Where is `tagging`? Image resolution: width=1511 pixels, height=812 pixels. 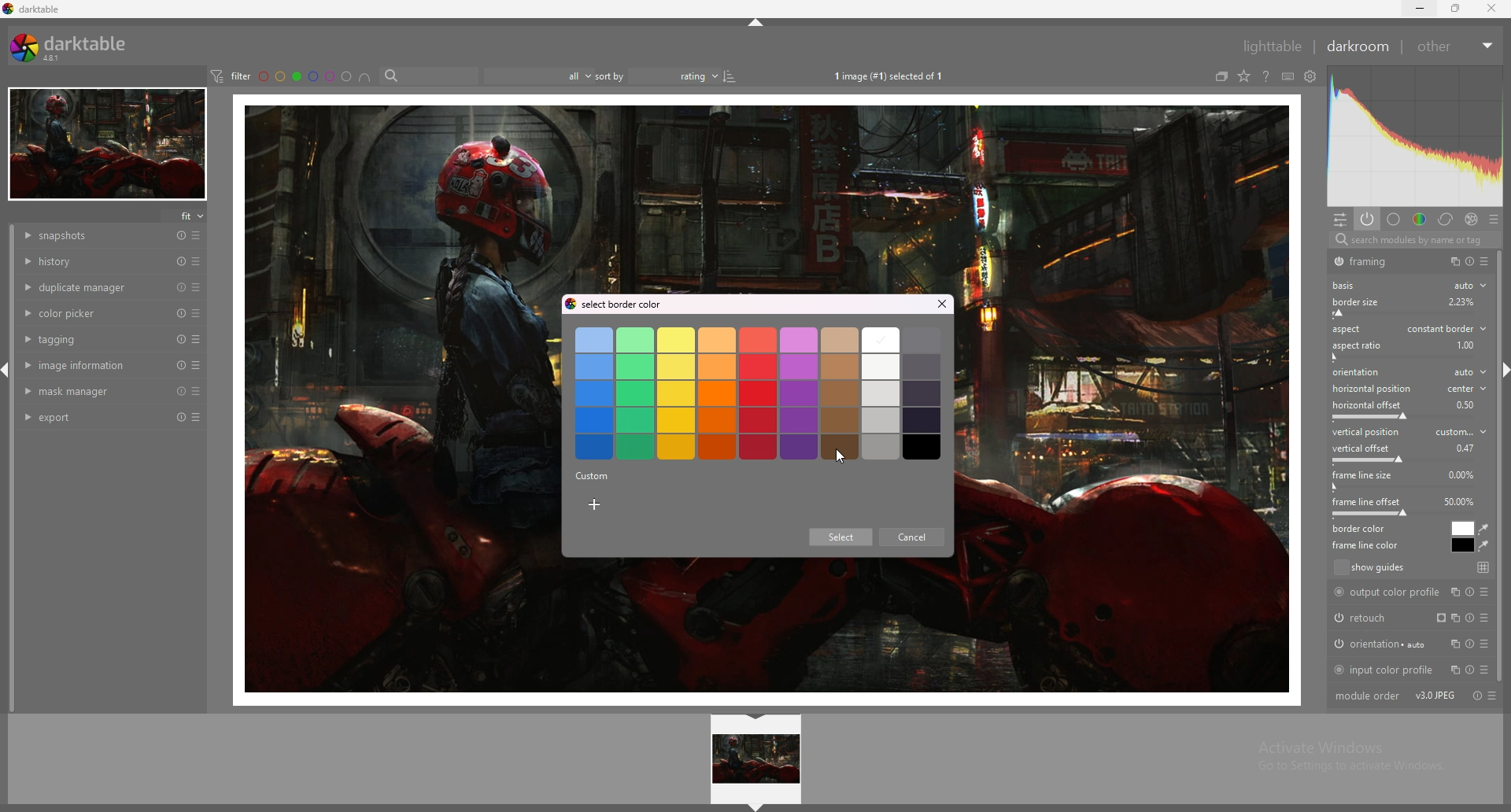
tagging is located at coordinates (93, 339).